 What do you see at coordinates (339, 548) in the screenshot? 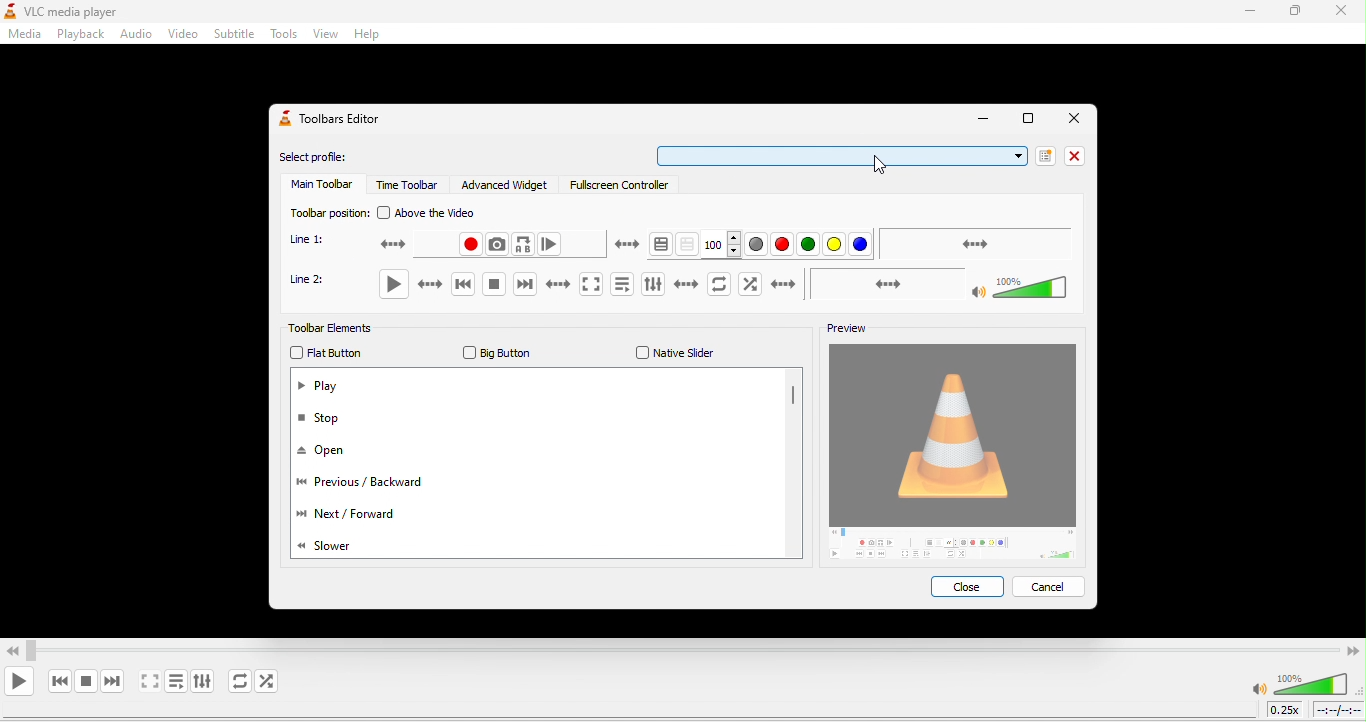
I see `slower` at bounding box center [339, 548].